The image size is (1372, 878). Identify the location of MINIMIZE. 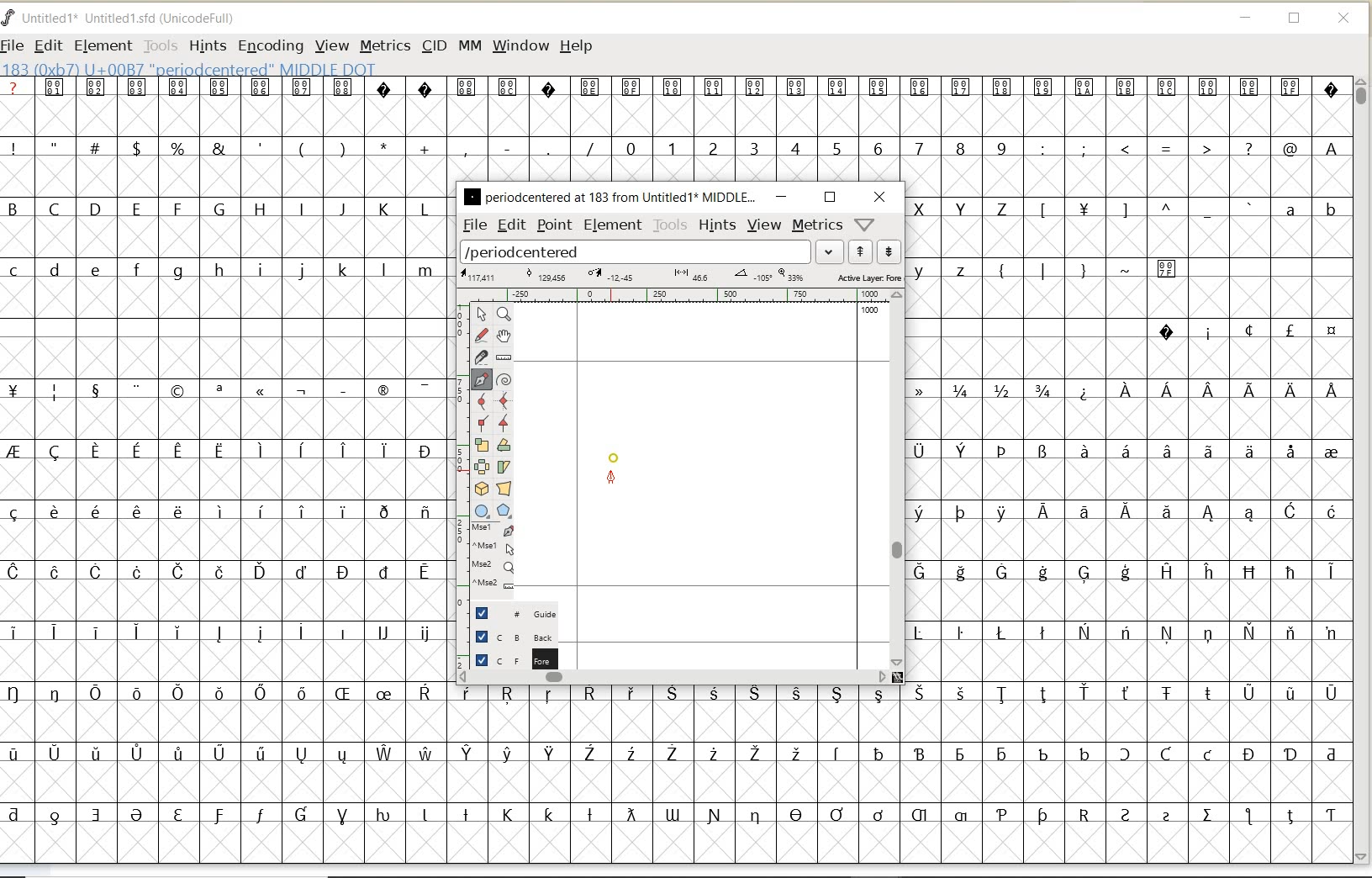
(1247, 20).